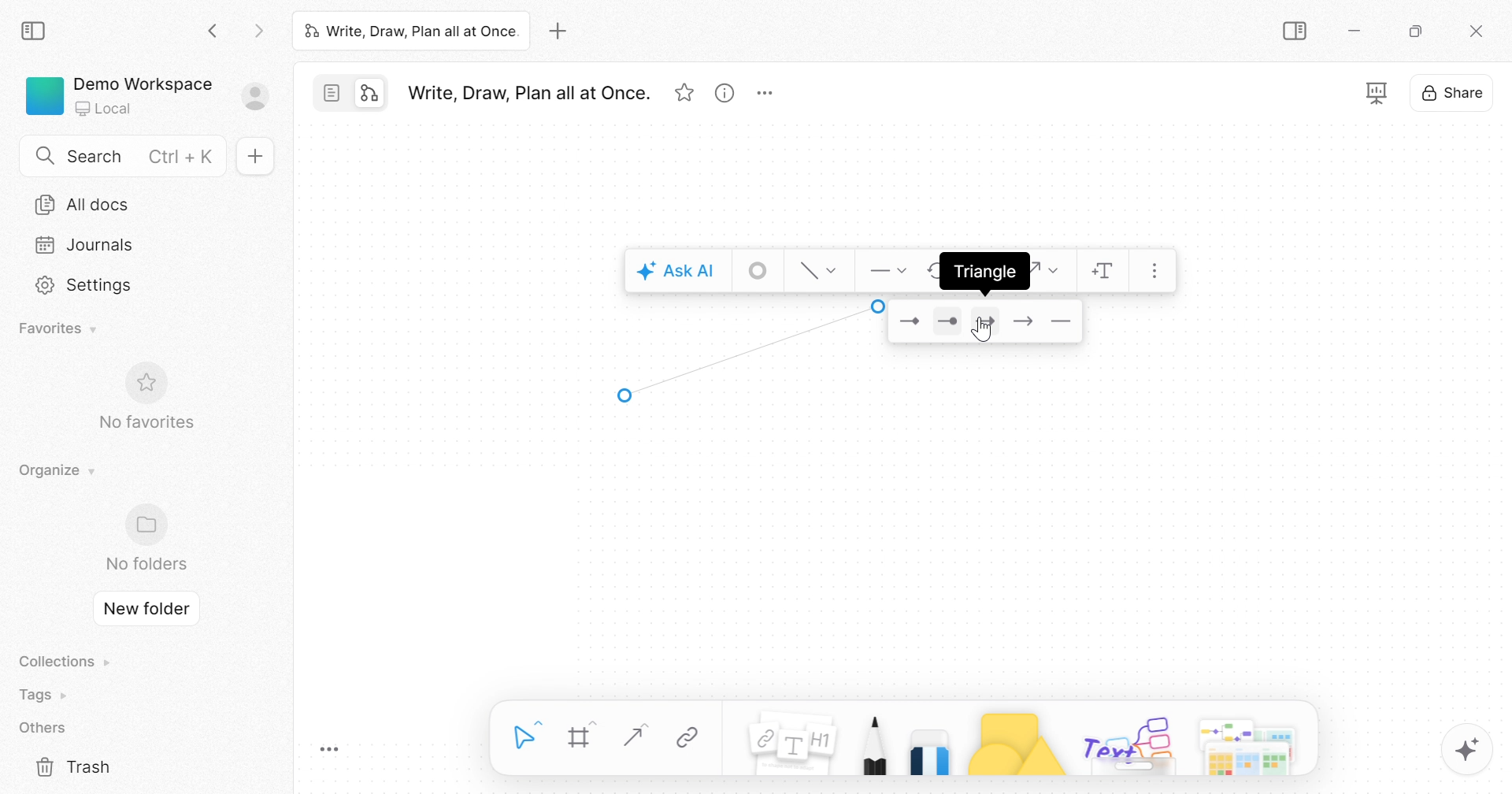 The width and height of the screenshot is (1512, 794). What do you see at coordinates (759, 271) in the screenshot?
I see `Stroke style` at bounding box center [759, 271].